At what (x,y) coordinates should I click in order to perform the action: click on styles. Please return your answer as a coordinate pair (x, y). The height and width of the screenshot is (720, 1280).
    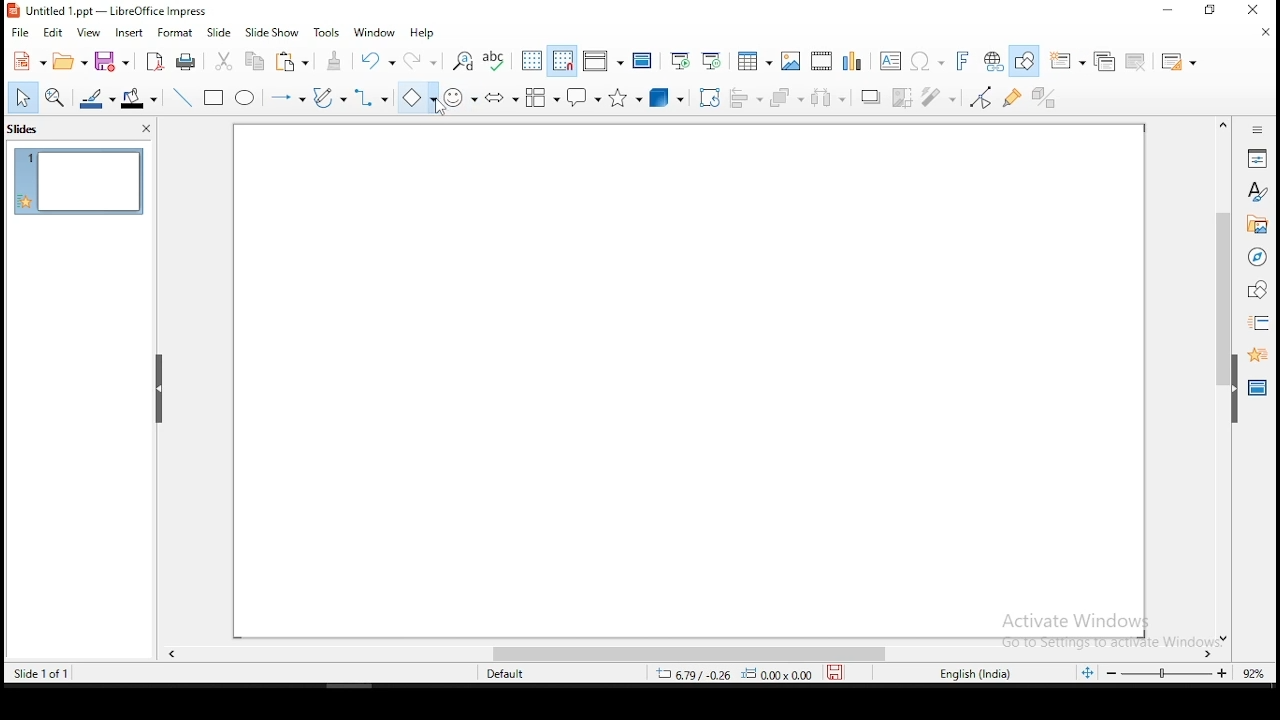
    Looking at the image, I should click on (1258, 194).